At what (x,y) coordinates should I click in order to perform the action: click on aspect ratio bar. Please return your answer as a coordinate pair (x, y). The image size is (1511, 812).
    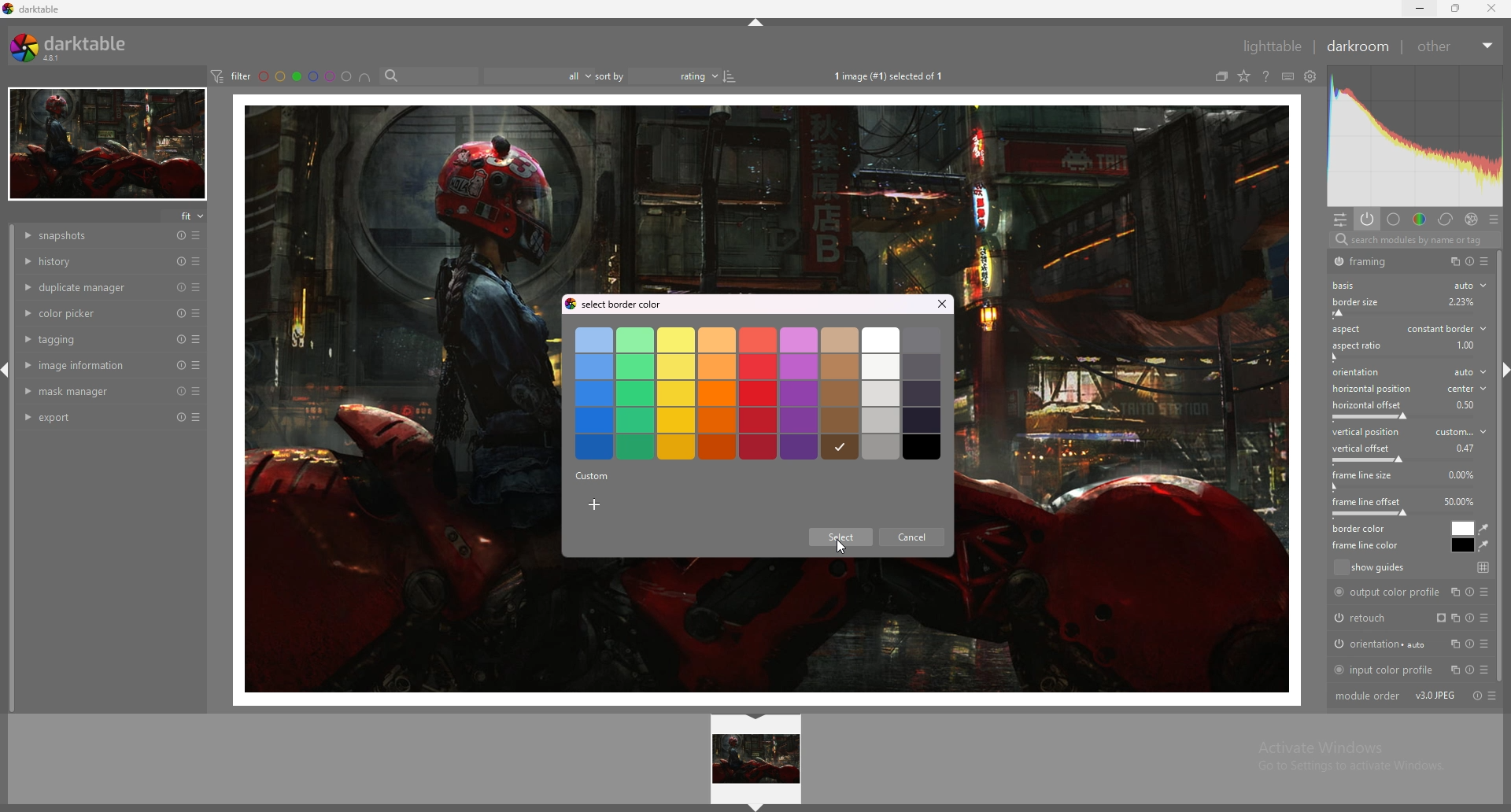
    Looking at the image, I should click on (1402, 357).